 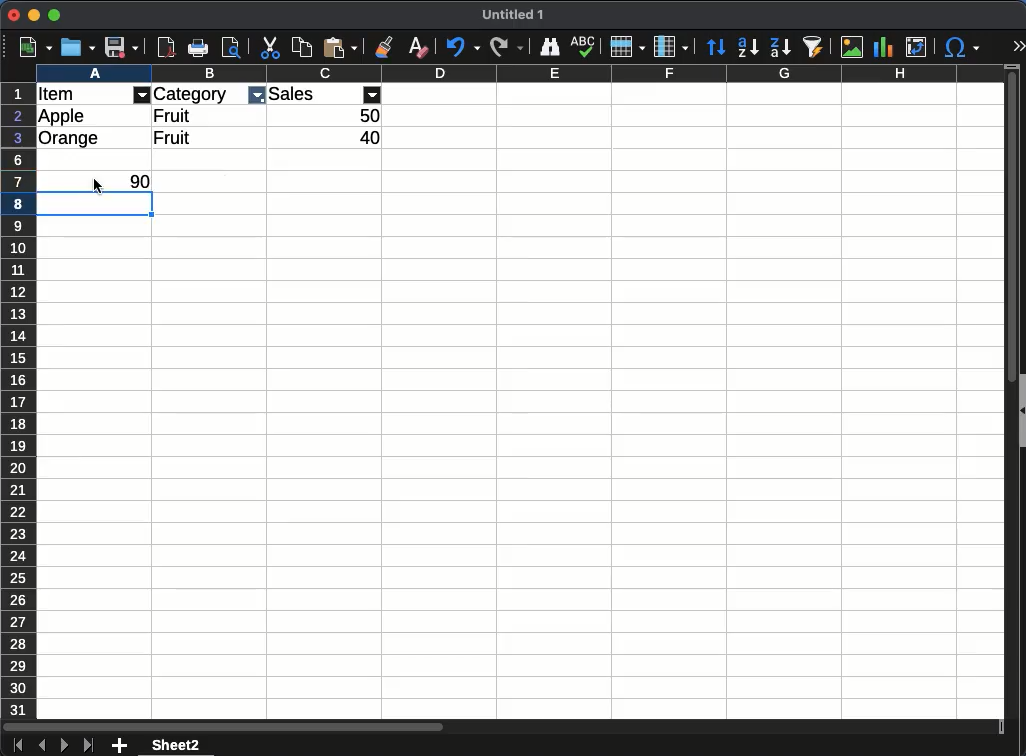 I want to click on Sales, so click(x=293, y=94).